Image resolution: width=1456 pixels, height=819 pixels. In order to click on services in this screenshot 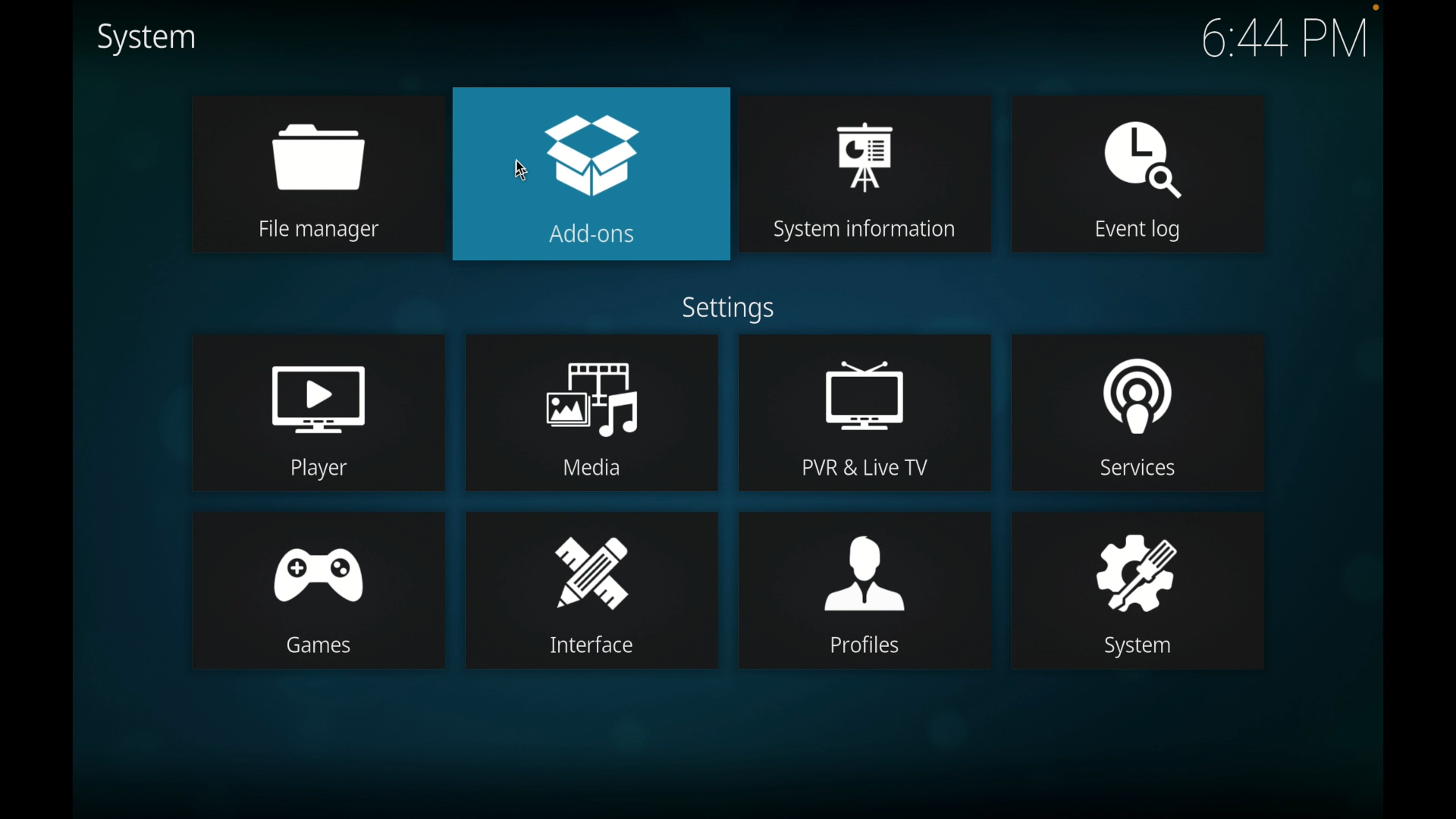, I will do `click(1138, 412)`.